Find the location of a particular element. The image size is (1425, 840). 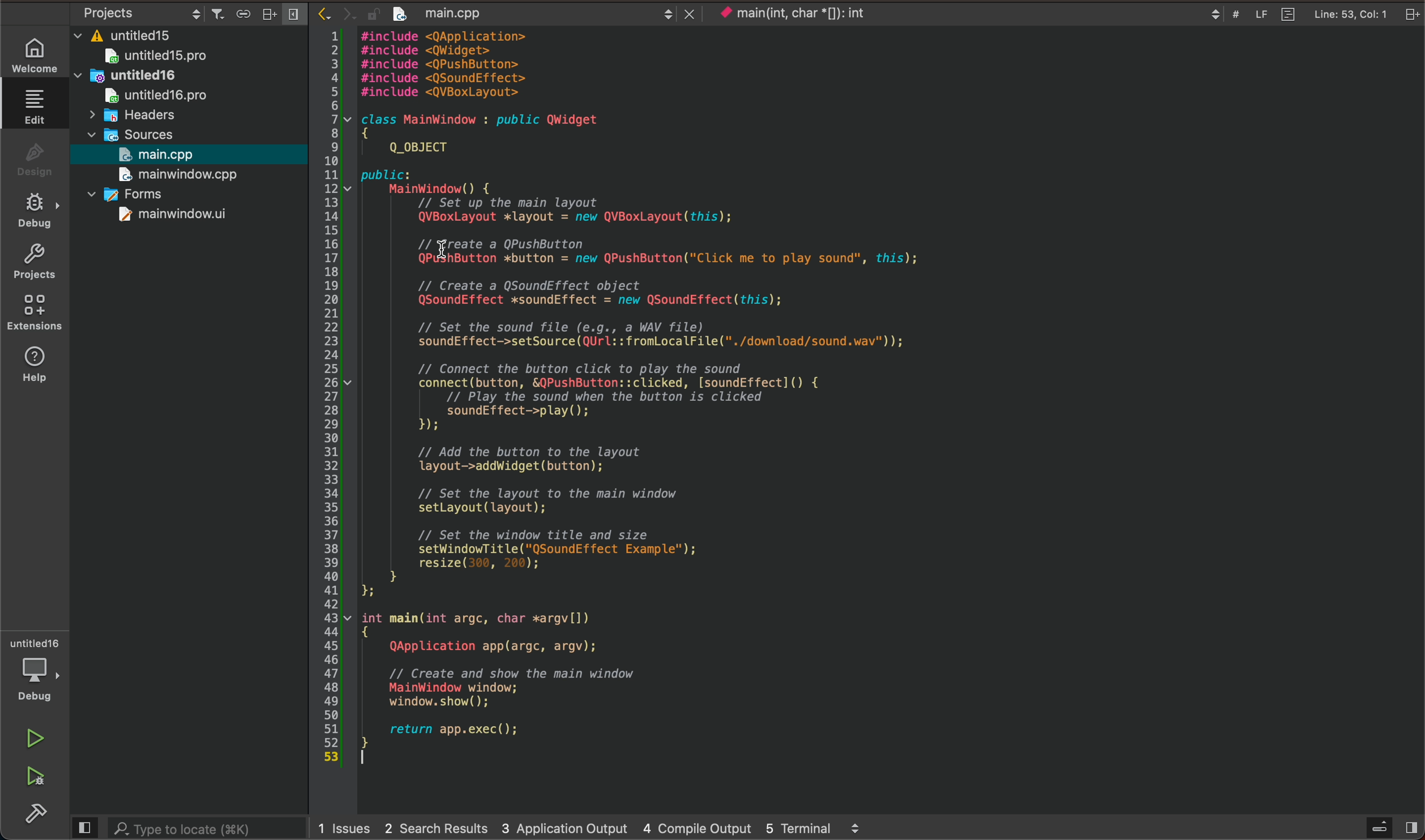

mainwindow is located at coordinates (169, 217).